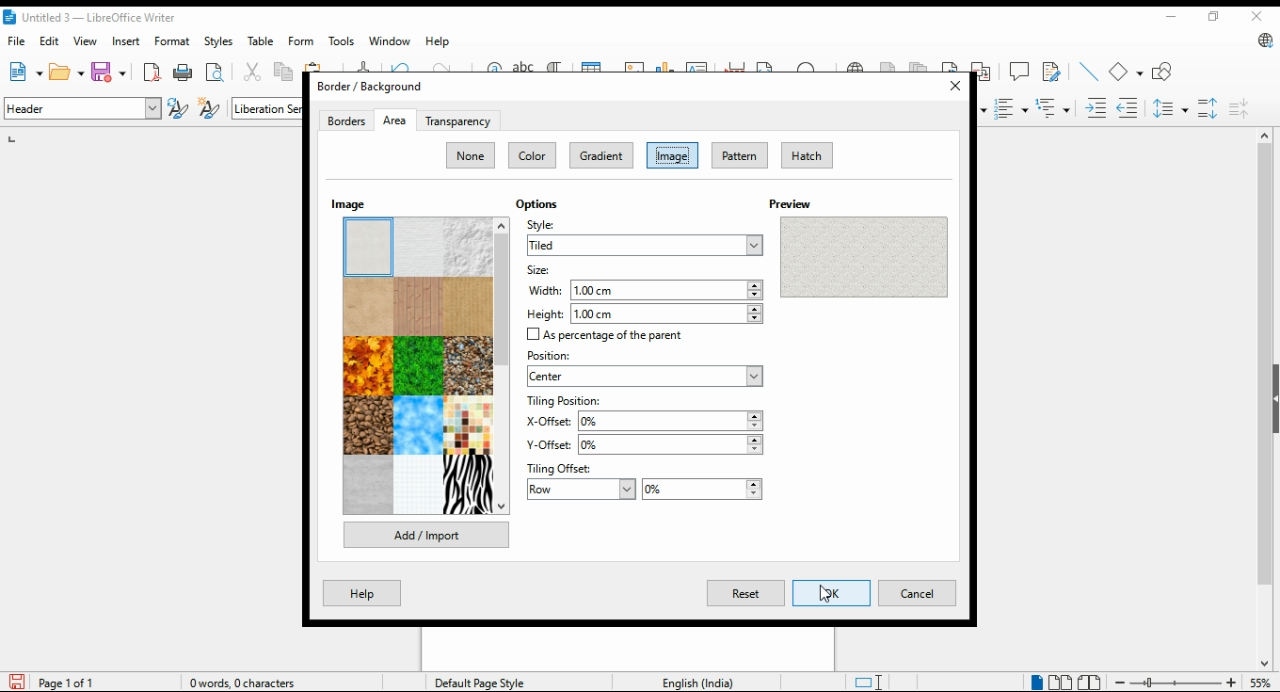  What do you see at coordinates (1173, 682) in the screenshot?
I see `zoom in/zoom out slider` at bounding box center [1173, 682].